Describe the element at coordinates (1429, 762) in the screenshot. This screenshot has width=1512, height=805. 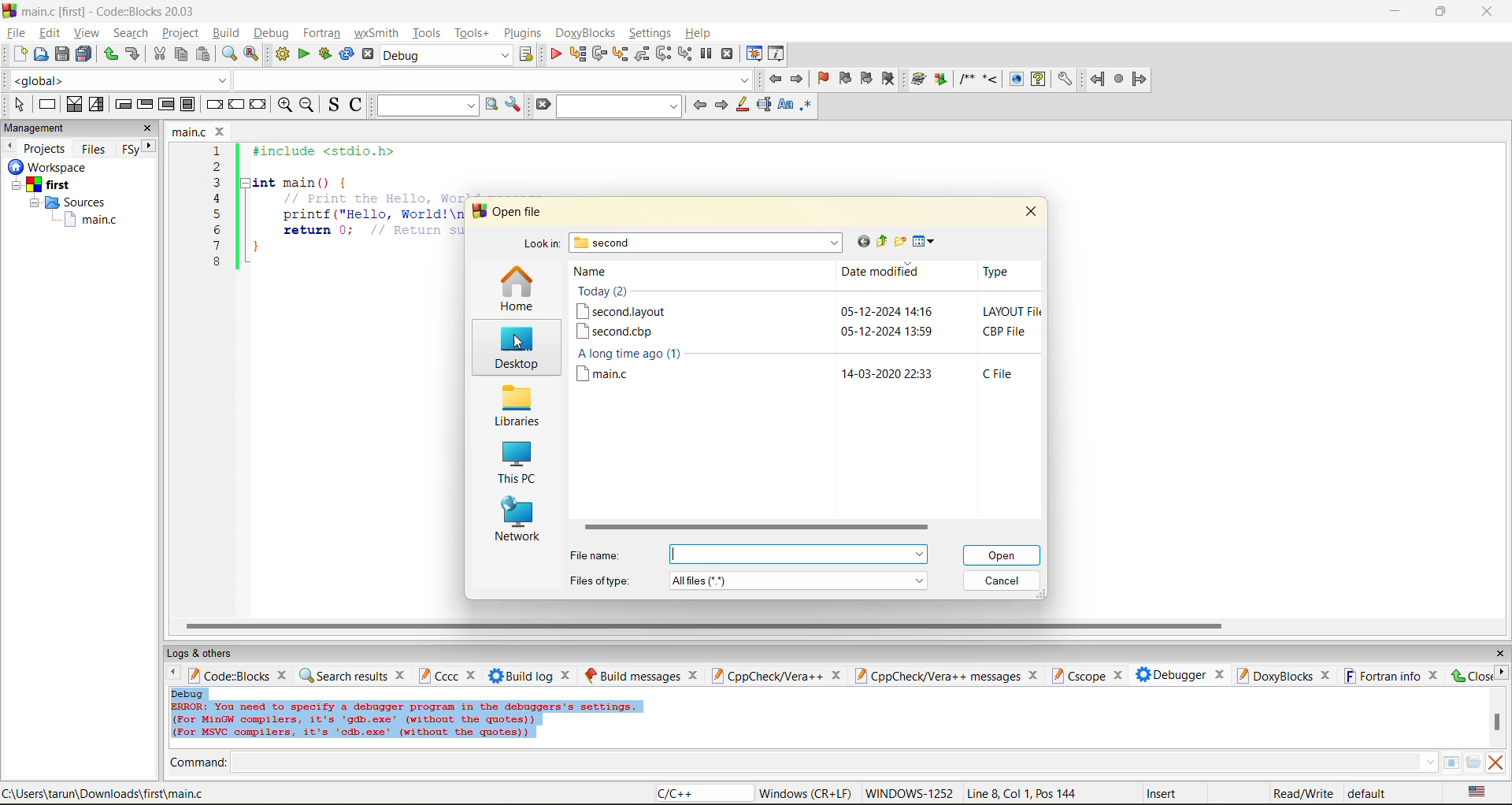
I see `down` at that location.